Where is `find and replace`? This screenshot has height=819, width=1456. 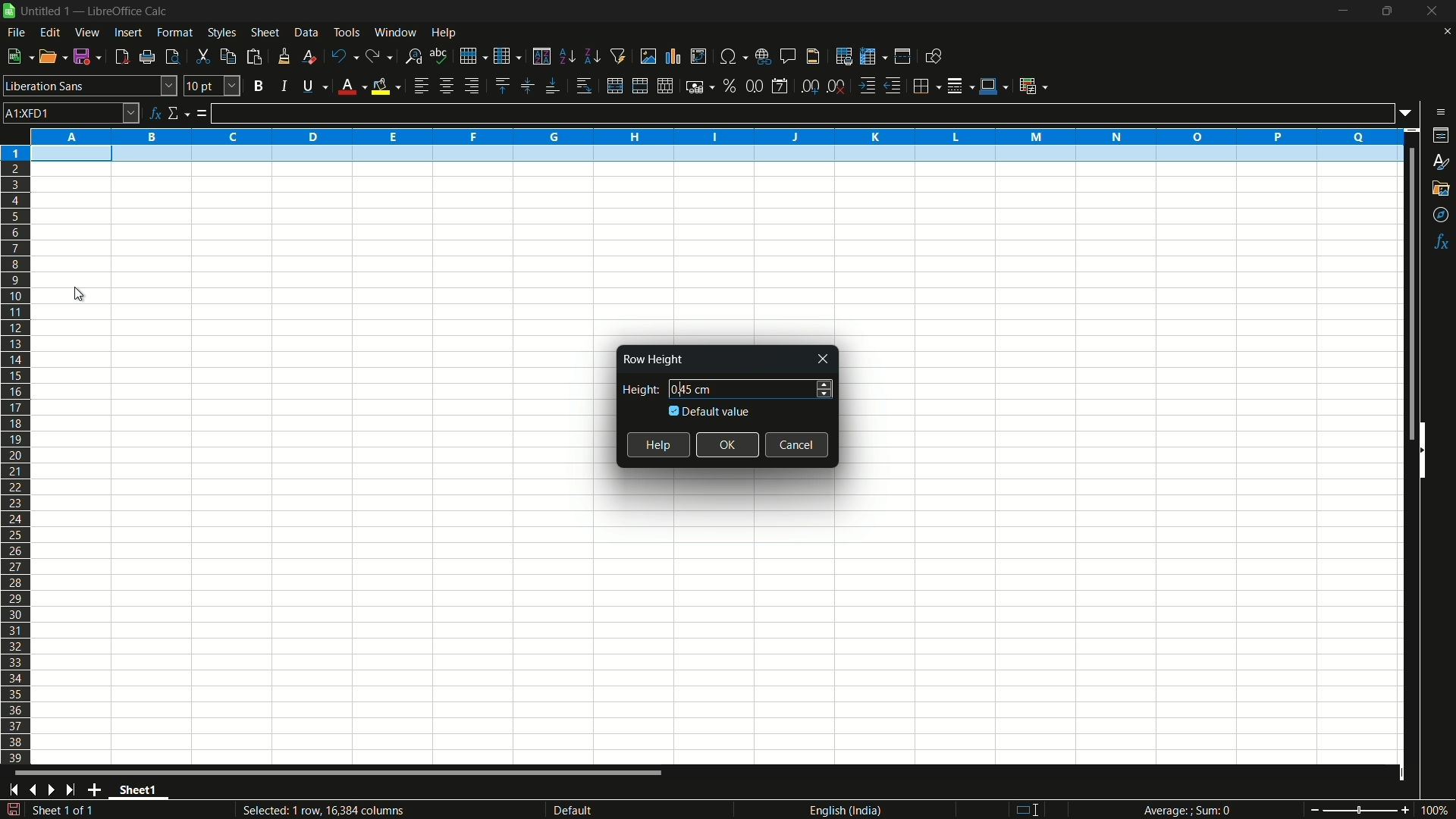
find and replace is located at coordinates (414, 55).